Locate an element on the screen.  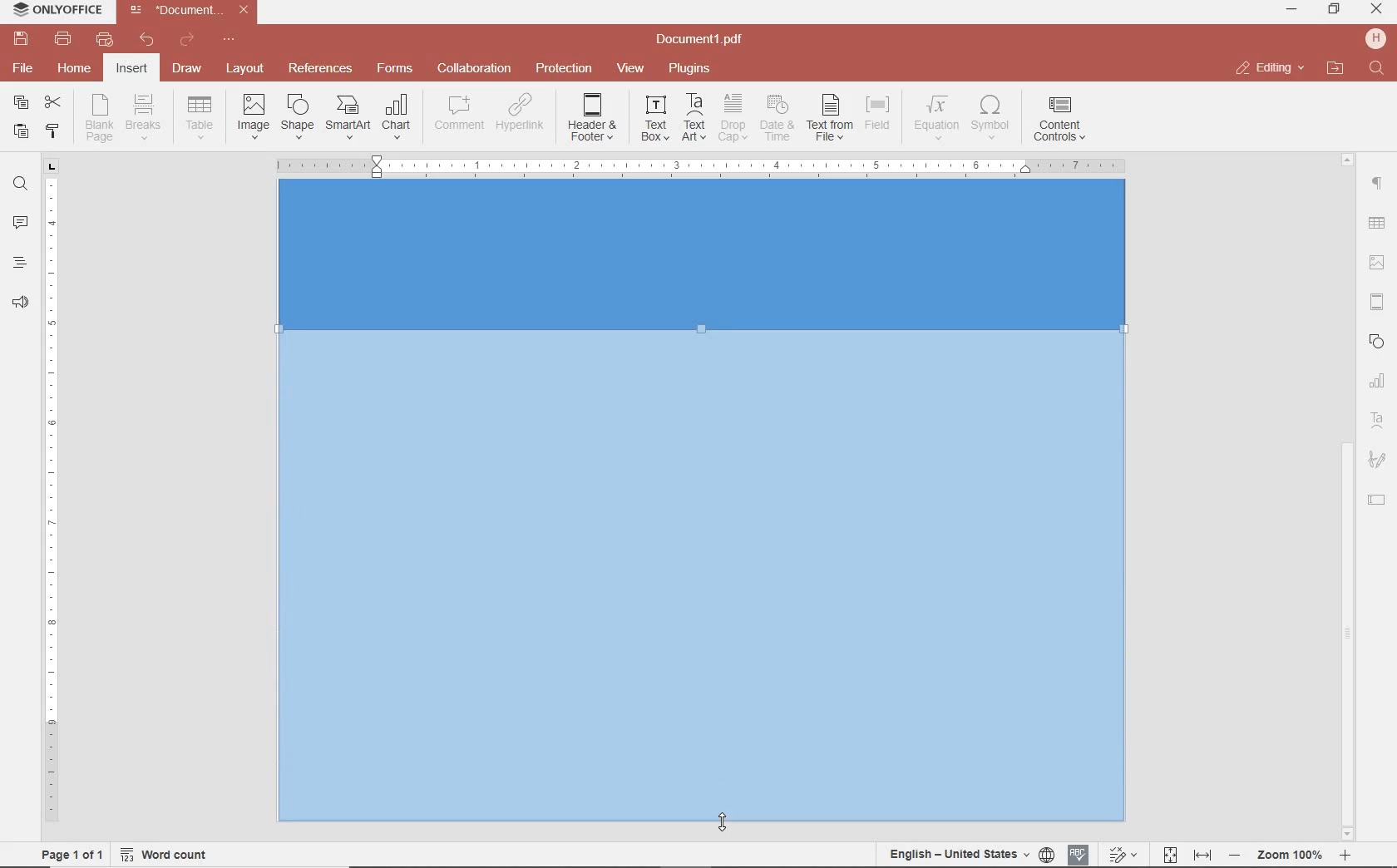
save is located at coordinates (19, 39).